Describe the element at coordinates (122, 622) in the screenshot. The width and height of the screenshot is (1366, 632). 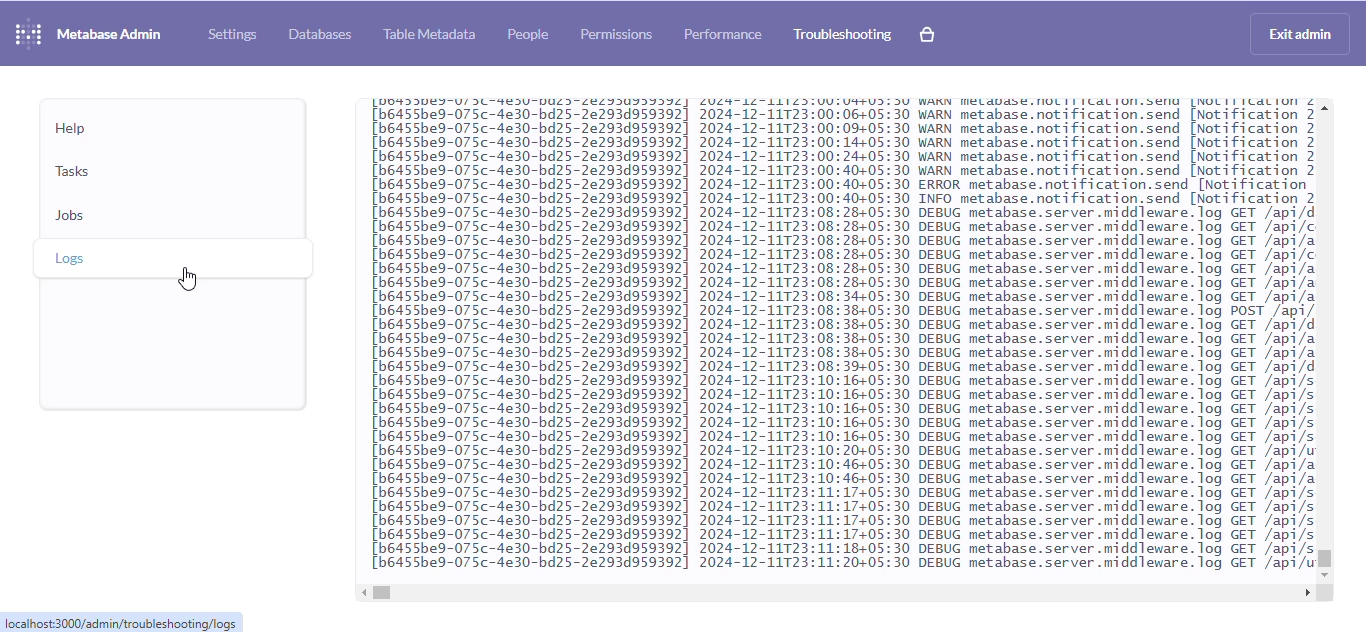
I see `link` at that location.